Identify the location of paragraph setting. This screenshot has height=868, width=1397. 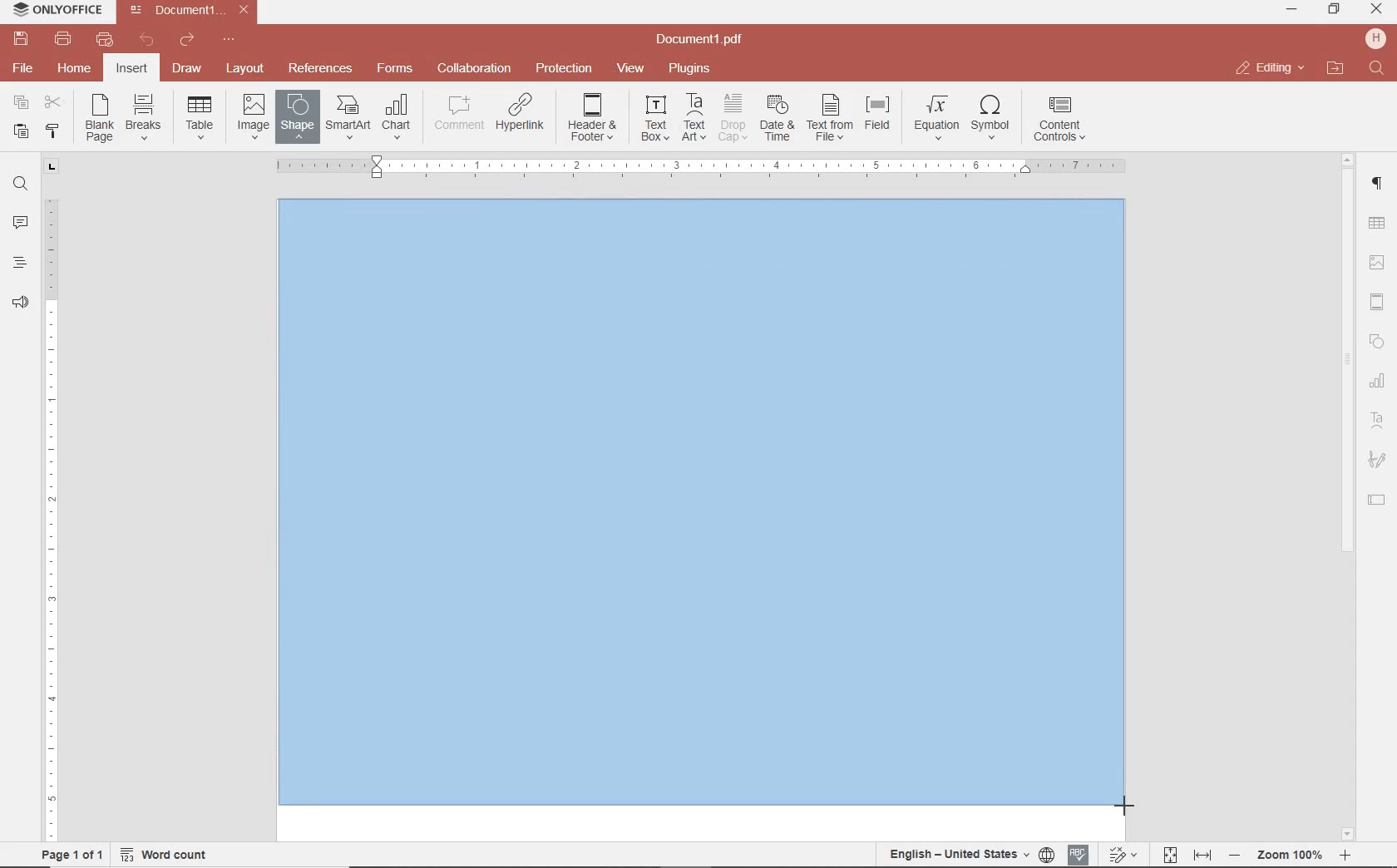
(1378, 181).